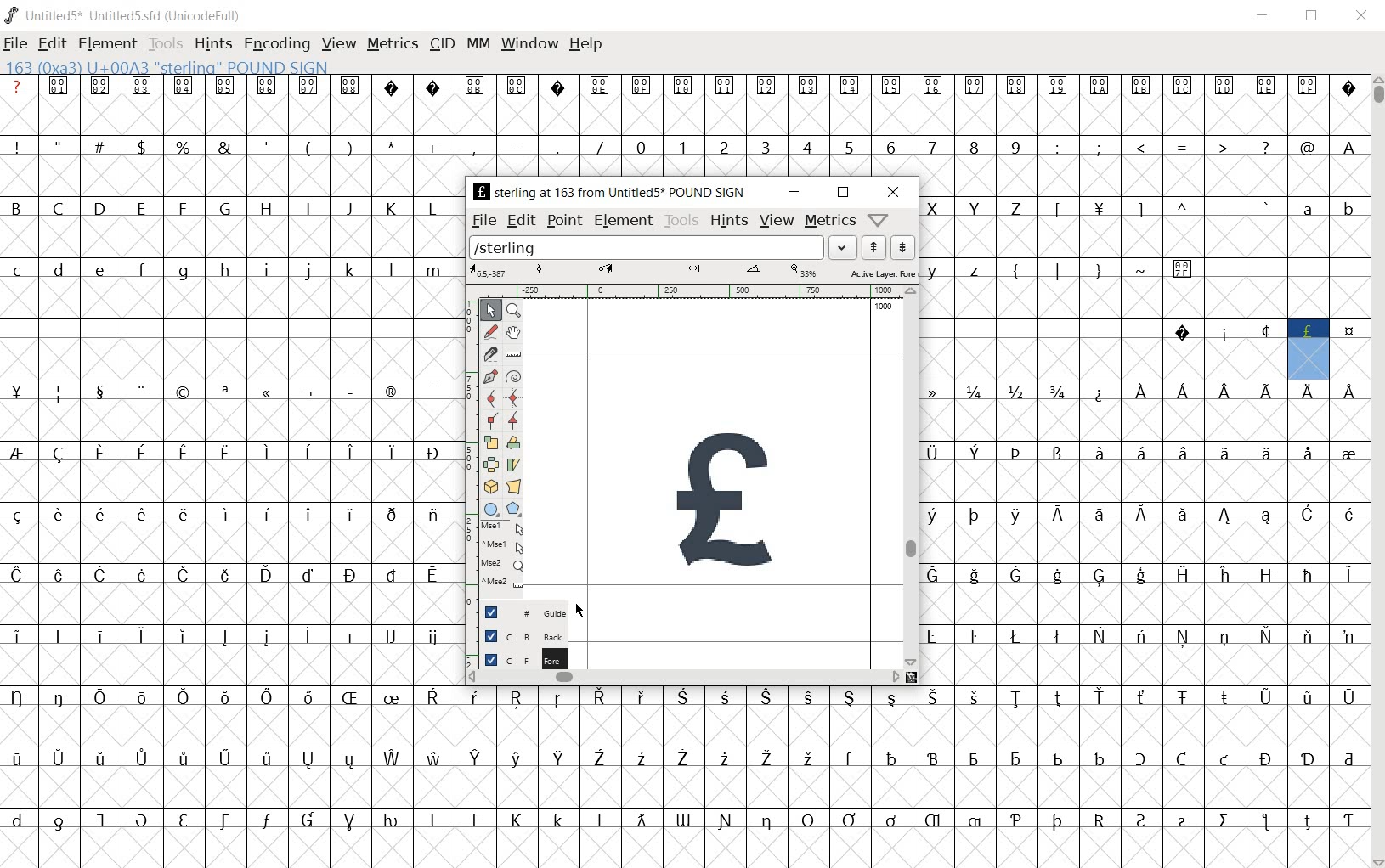 The image size is (1385, 868). I want to click on rectangle/ellipse, so click(493, 509).